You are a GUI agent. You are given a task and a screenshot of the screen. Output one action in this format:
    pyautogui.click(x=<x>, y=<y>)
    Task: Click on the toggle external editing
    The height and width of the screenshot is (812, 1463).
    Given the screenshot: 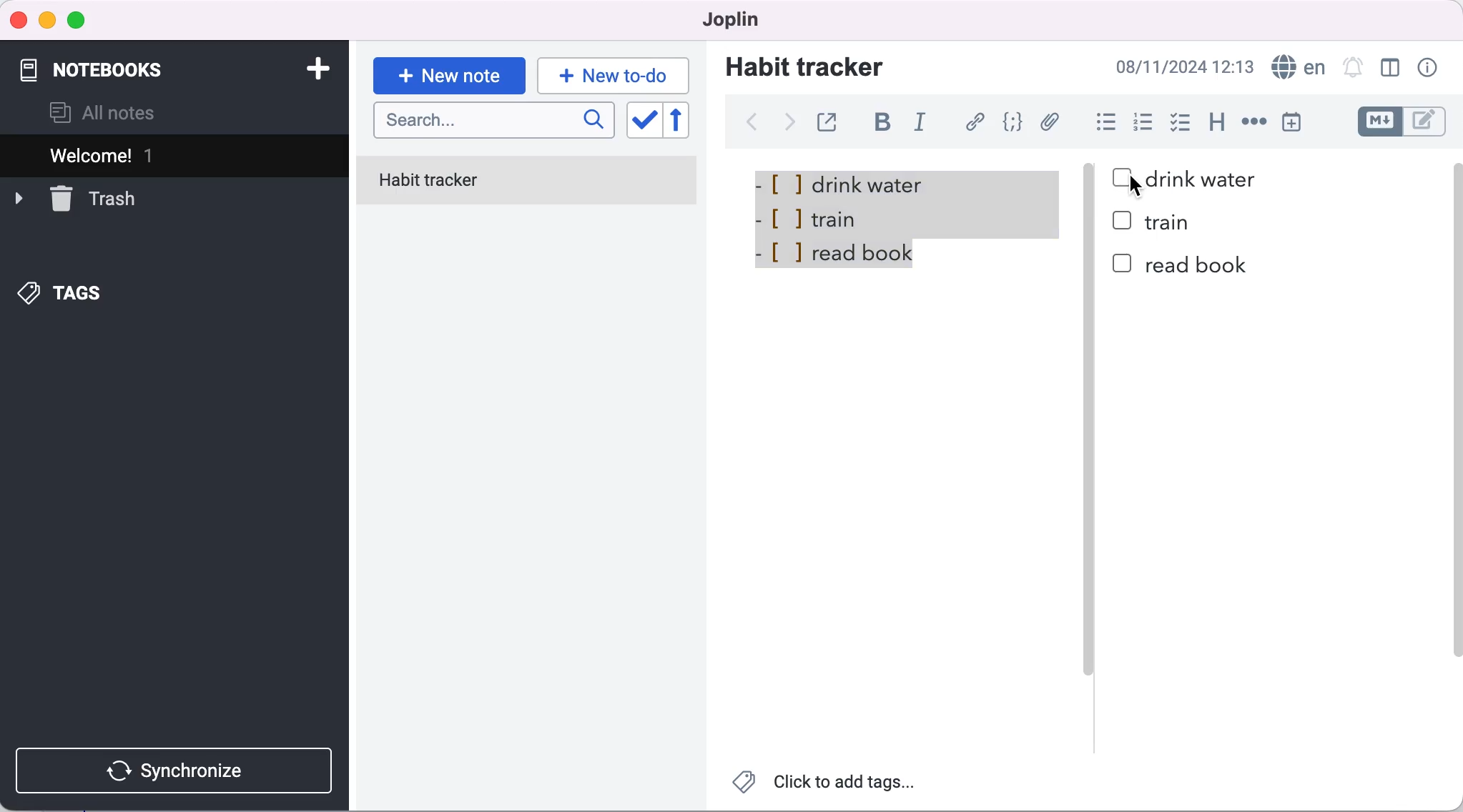 What is the action you would take?
    pyautogui.click(x=831, y=120)
    